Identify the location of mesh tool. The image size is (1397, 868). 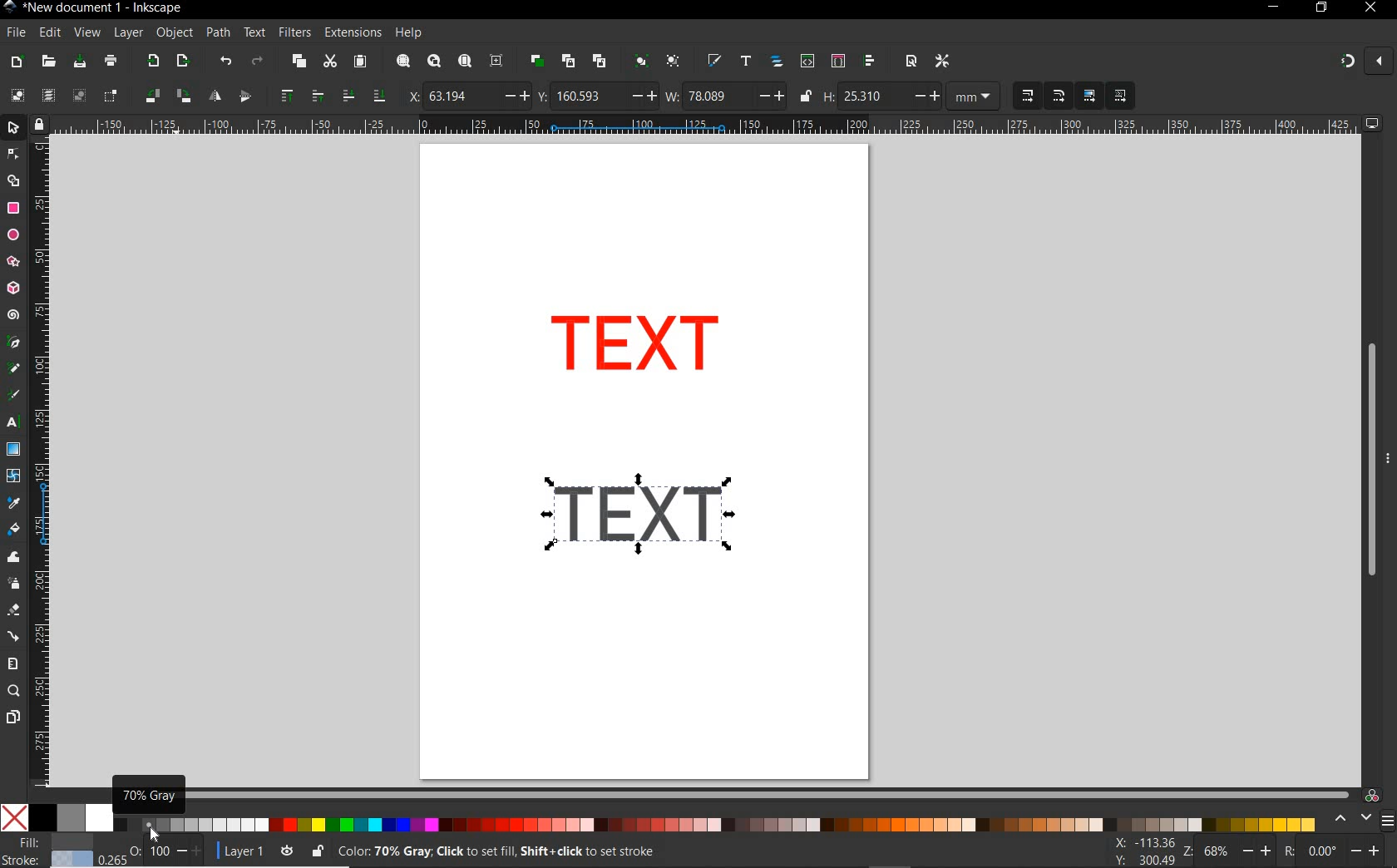
(14, 478).